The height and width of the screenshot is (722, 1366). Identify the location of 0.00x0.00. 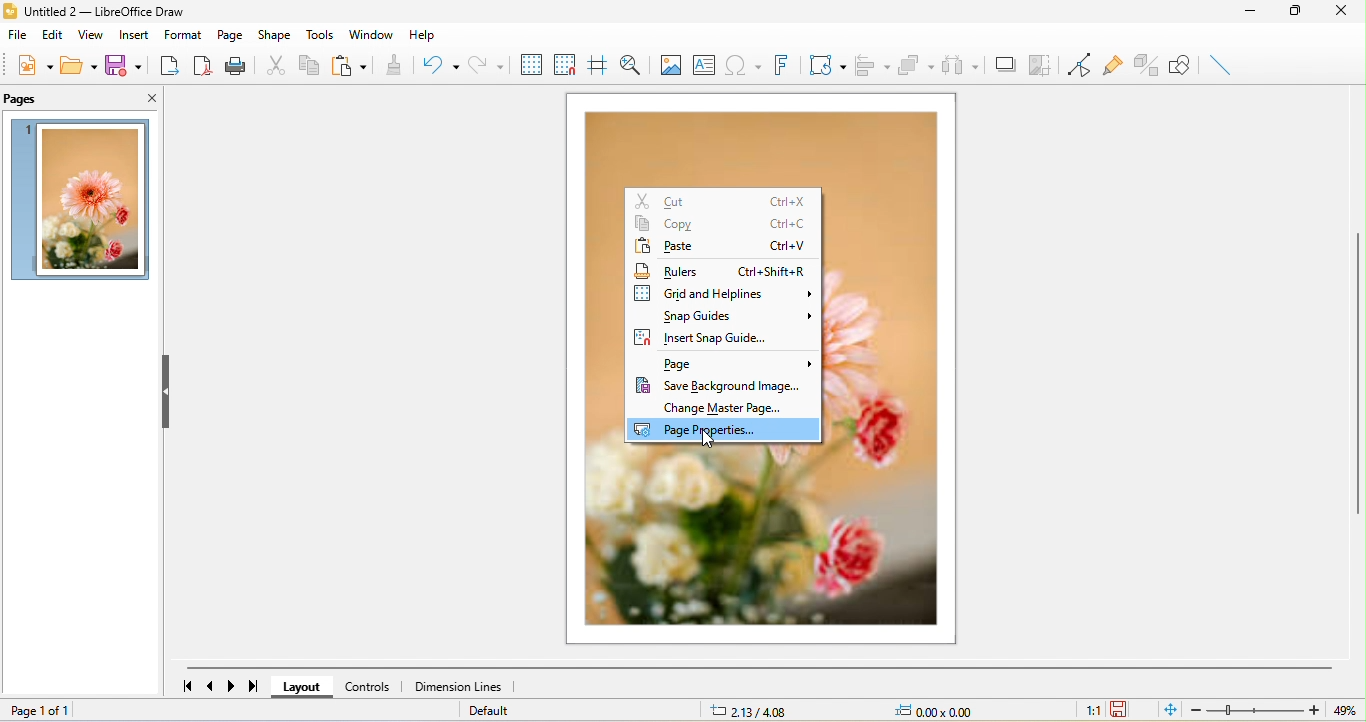
(943, 711).